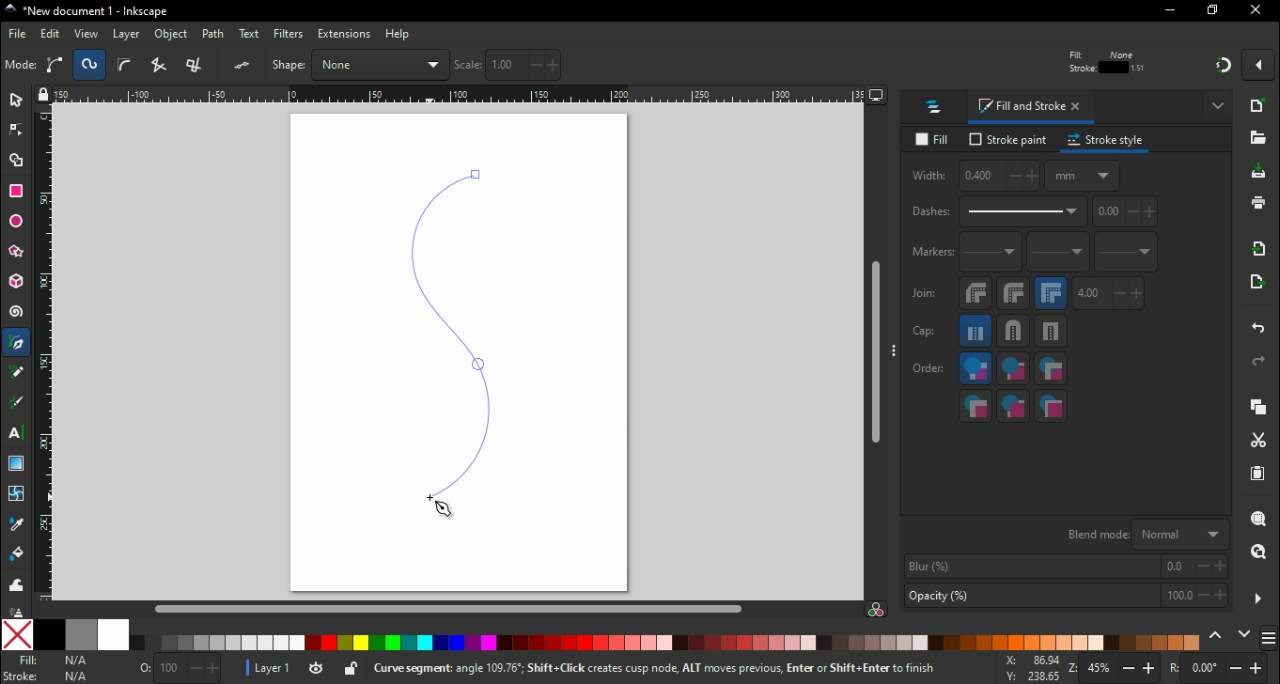  What do you see at coordinates (289, 34) in the screenshot?
I see `filters` at bounding box center [289, 34].